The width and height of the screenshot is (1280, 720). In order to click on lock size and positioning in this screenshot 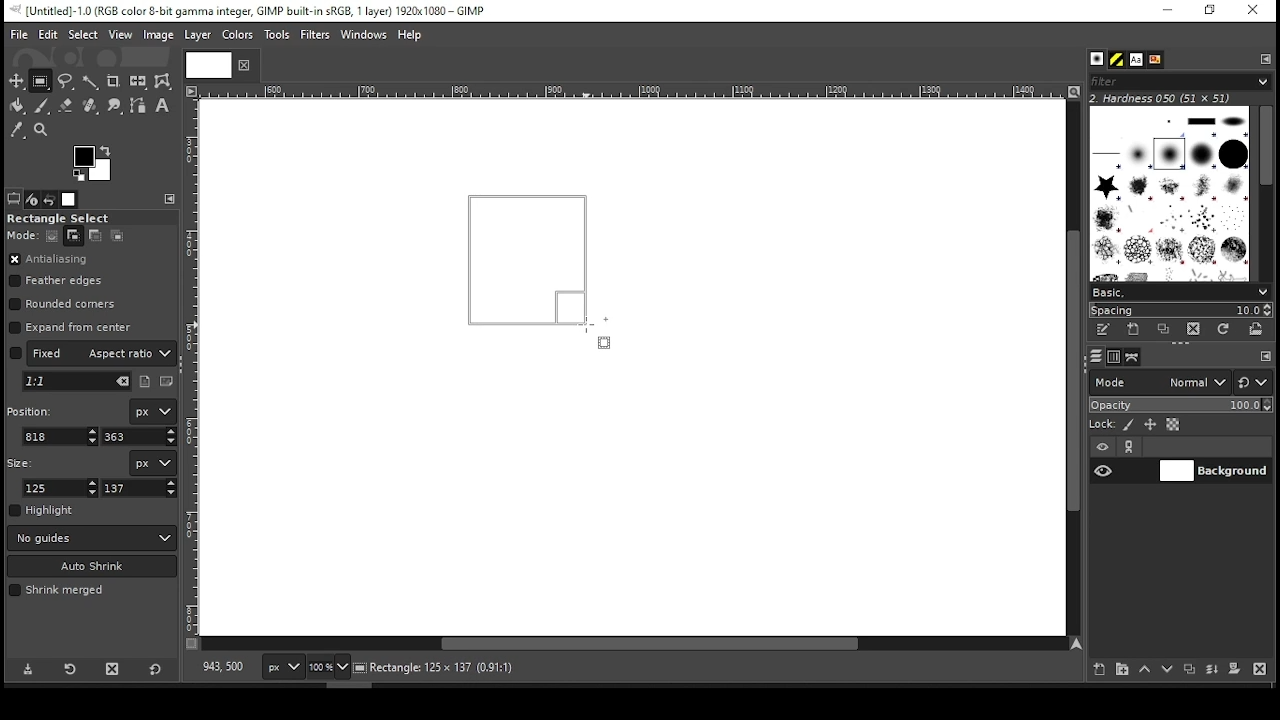, I will do `click(1152, 425)`.